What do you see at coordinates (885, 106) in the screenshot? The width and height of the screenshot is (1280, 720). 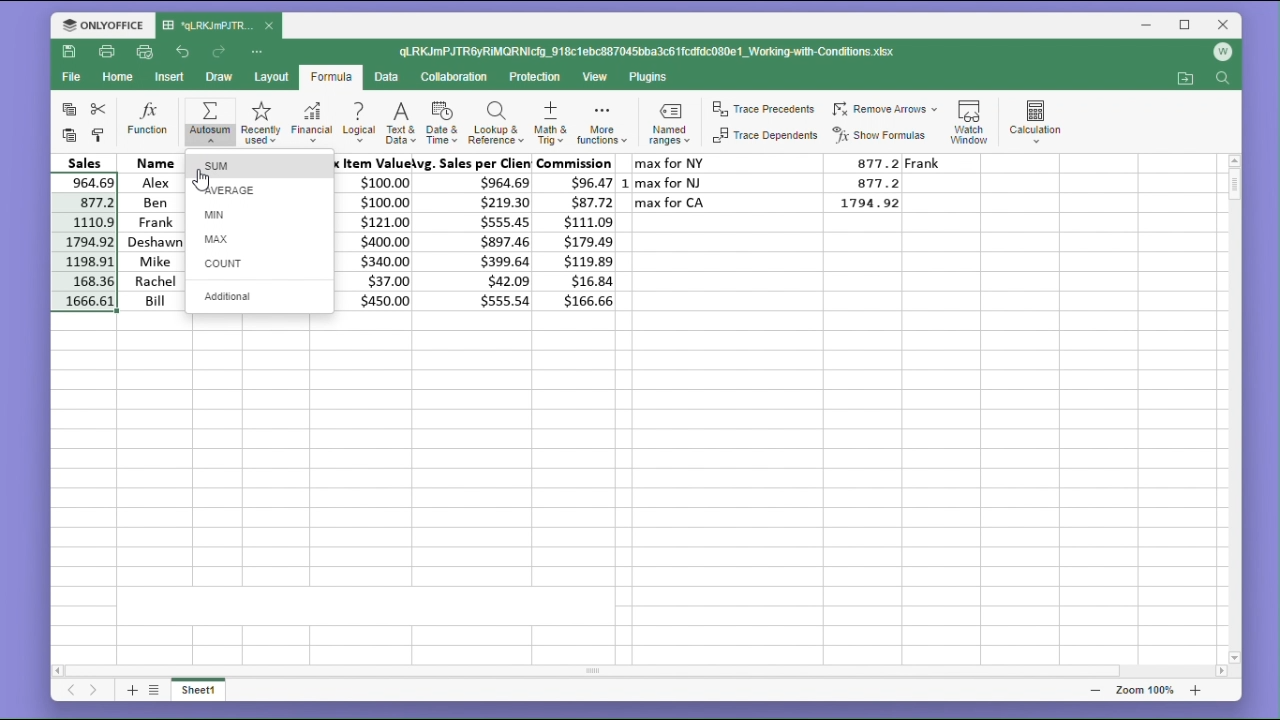 I see `remove arrows` at bounding box center [885, 106].